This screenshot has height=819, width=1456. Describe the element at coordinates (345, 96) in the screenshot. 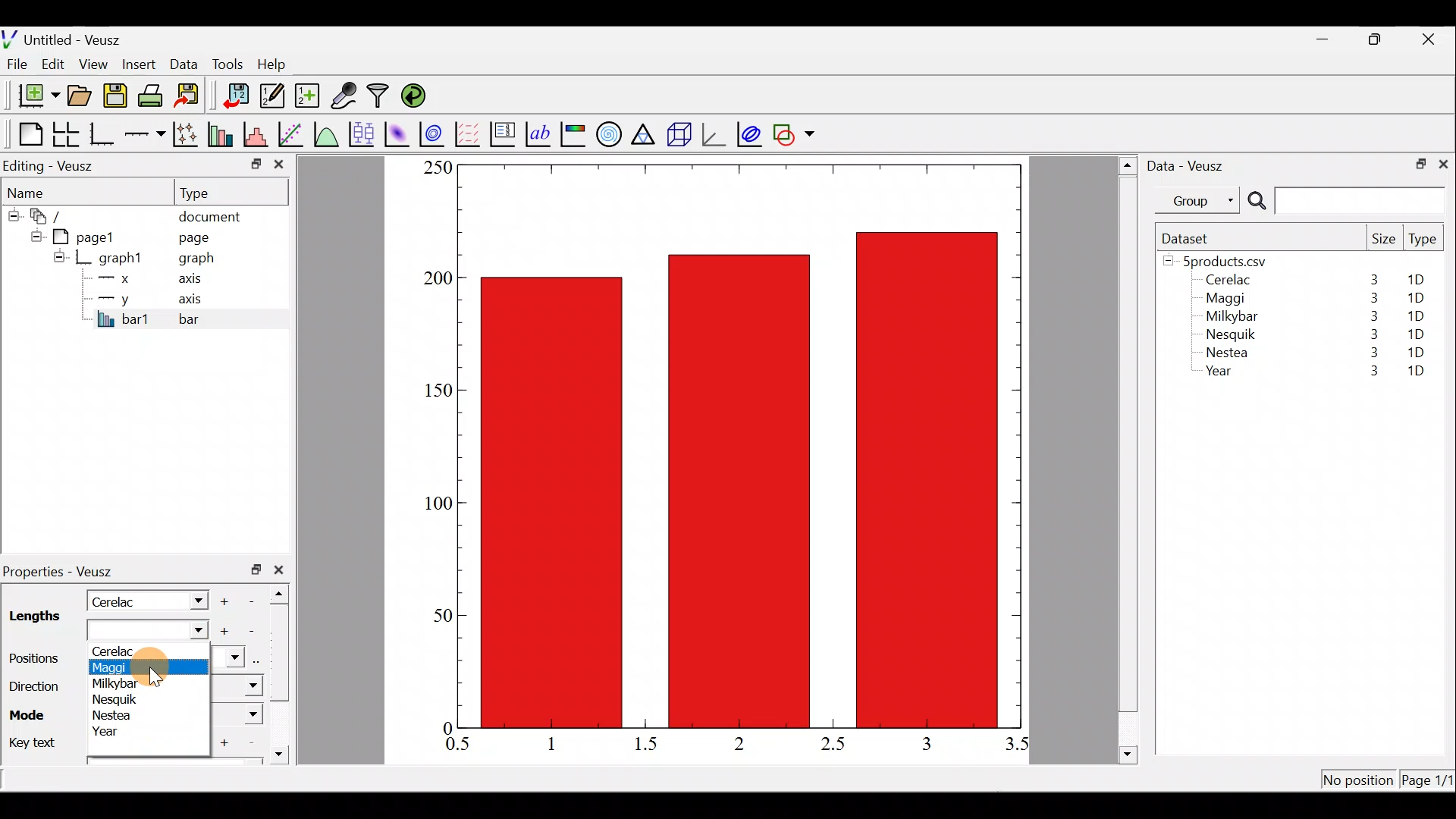

I see `Capture remote data` at that location.